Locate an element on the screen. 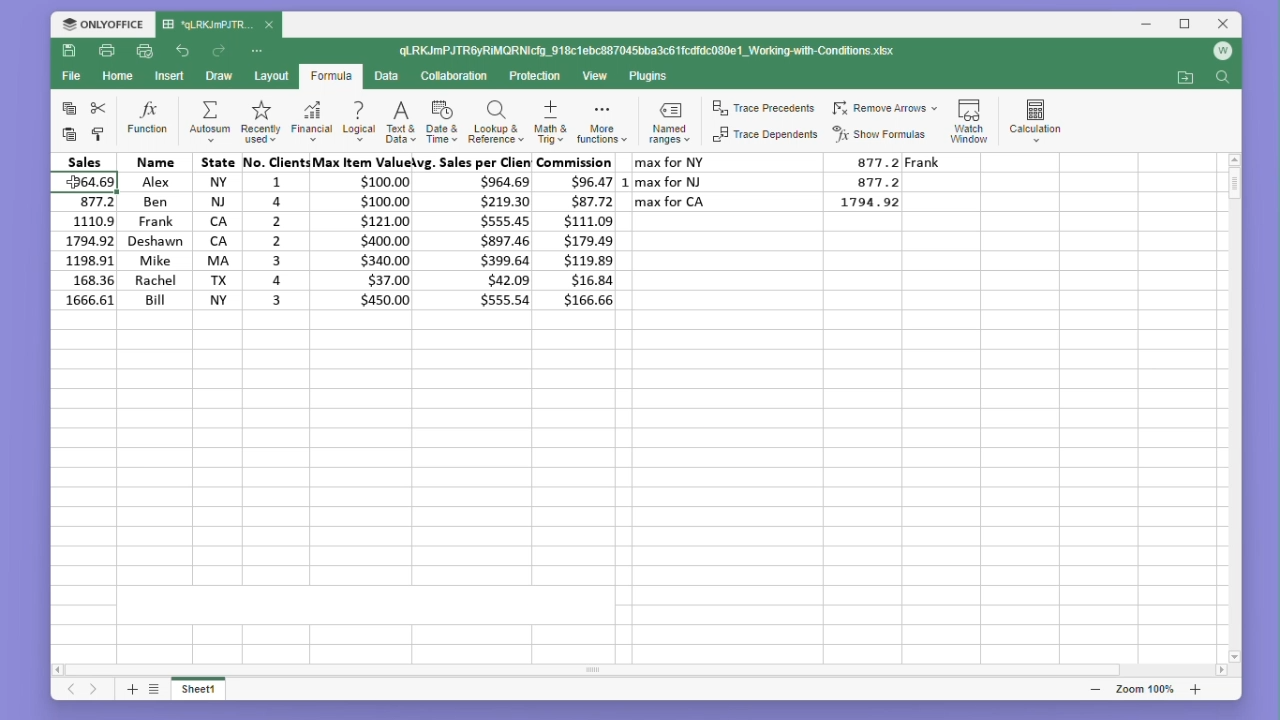 Image resolution: width=1280 pixels, height=720 pixels. More options is located at coordinates (259, 51).